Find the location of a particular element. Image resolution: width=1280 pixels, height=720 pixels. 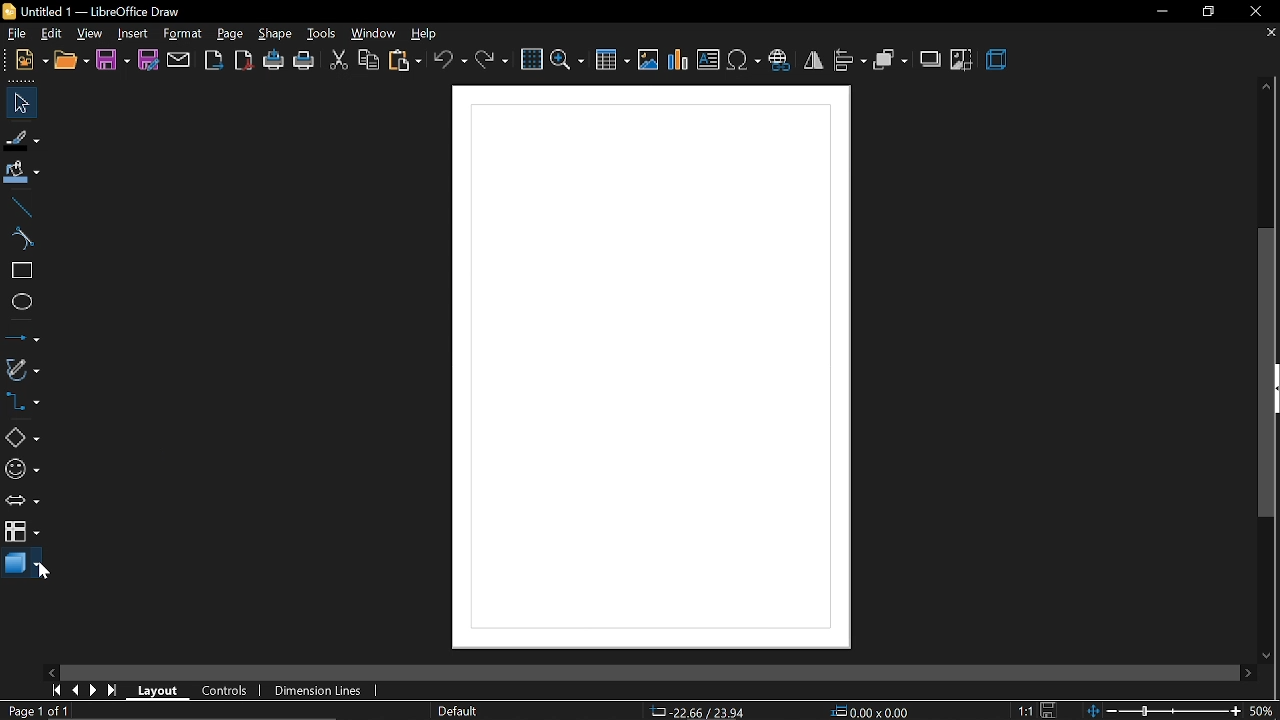

shadow is located at coordinates (930, 61).